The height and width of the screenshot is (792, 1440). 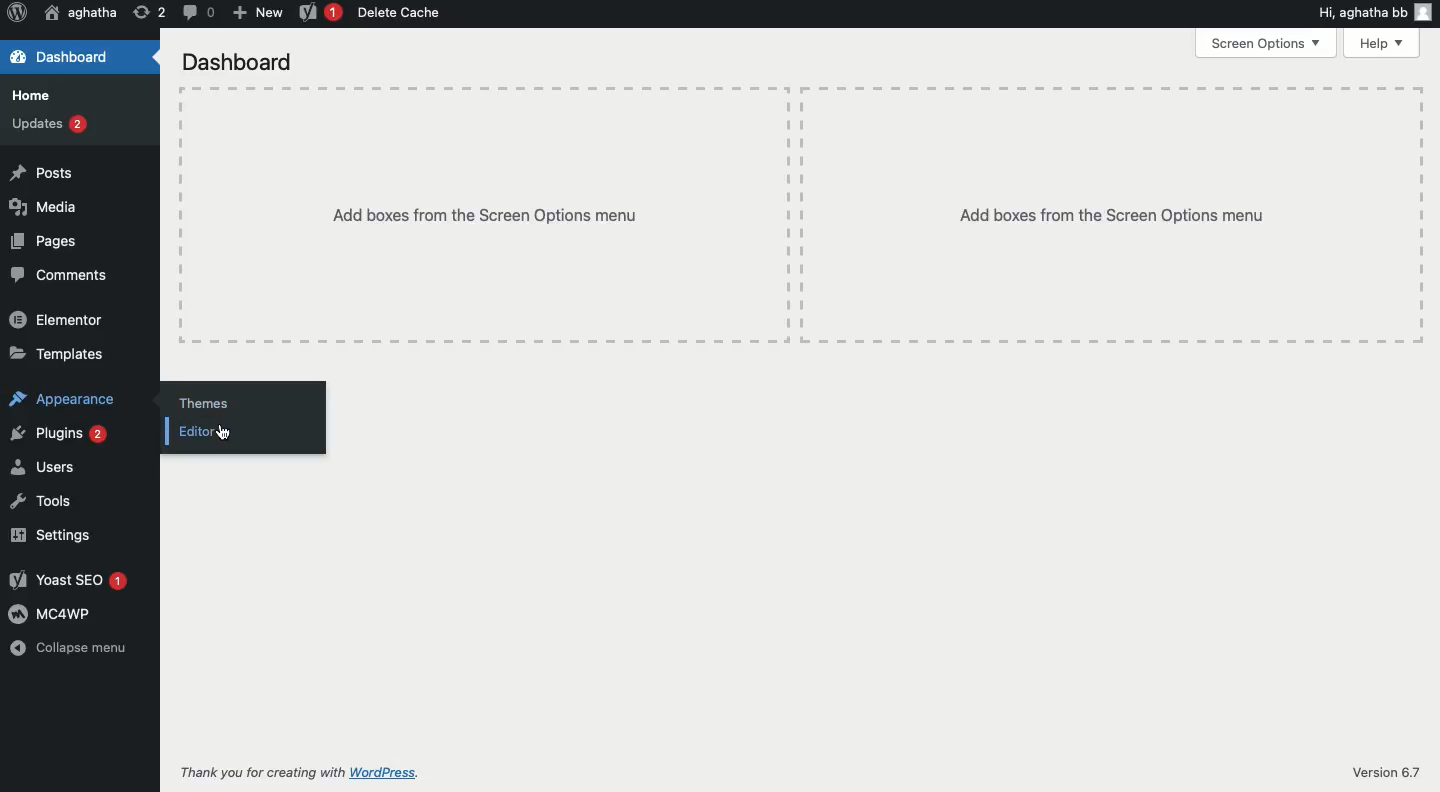 What do you see at coordinates (197, 12) in the screenshot?
I see `Comment` at bounding box center [197, 12].